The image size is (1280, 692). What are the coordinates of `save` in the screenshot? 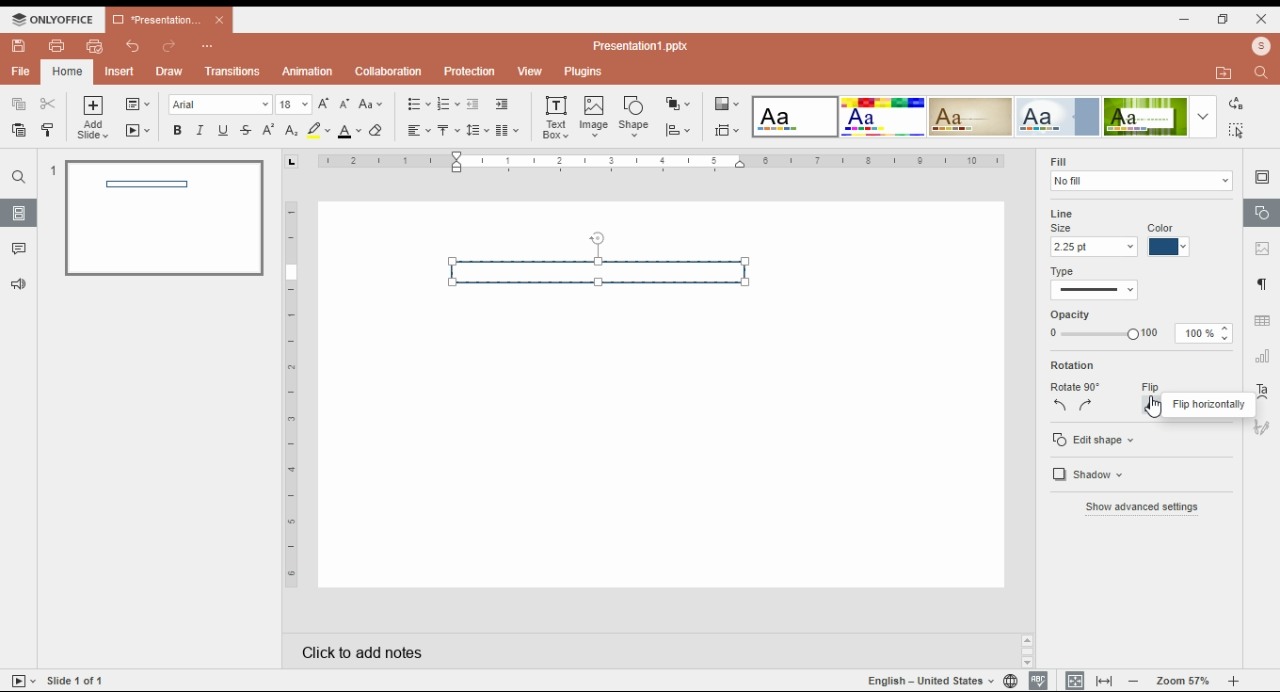 It's located at (20, 46).